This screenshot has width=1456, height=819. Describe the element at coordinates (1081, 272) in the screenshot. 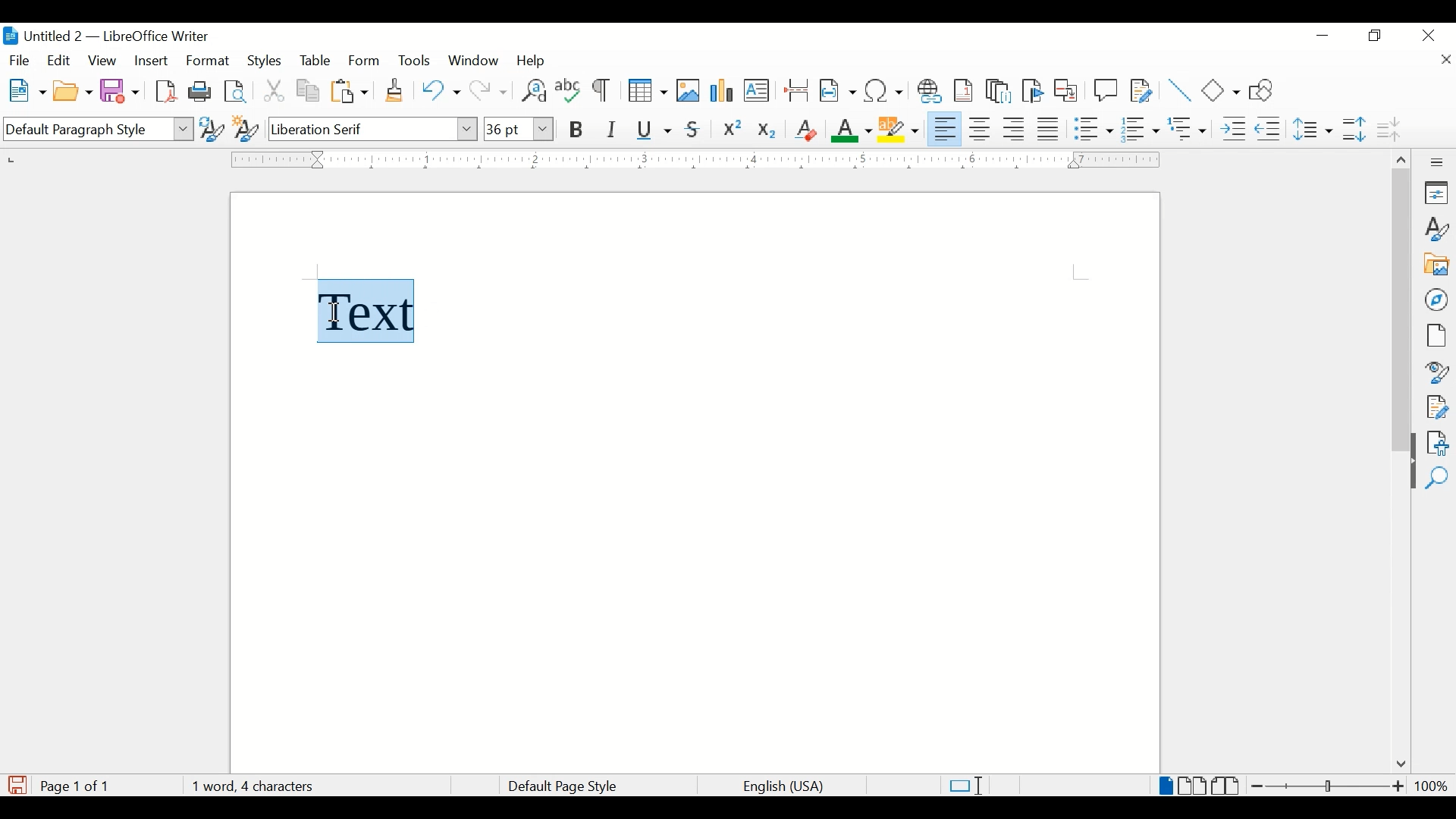

I see `guides` at that location.